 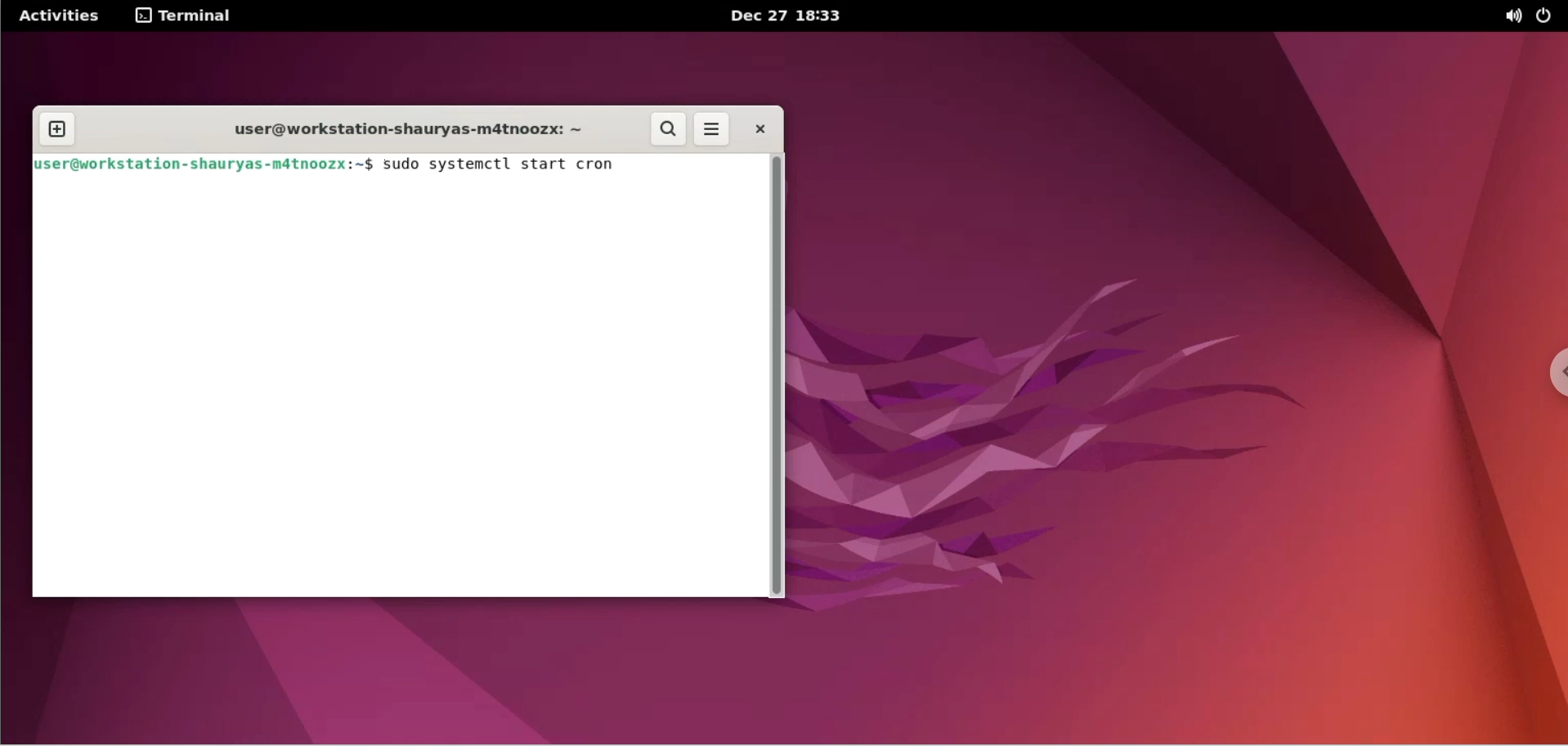 What do you see at coordinates (58, 16) in the screenshot?
I see `Activities` at bounding box center [58, 16].